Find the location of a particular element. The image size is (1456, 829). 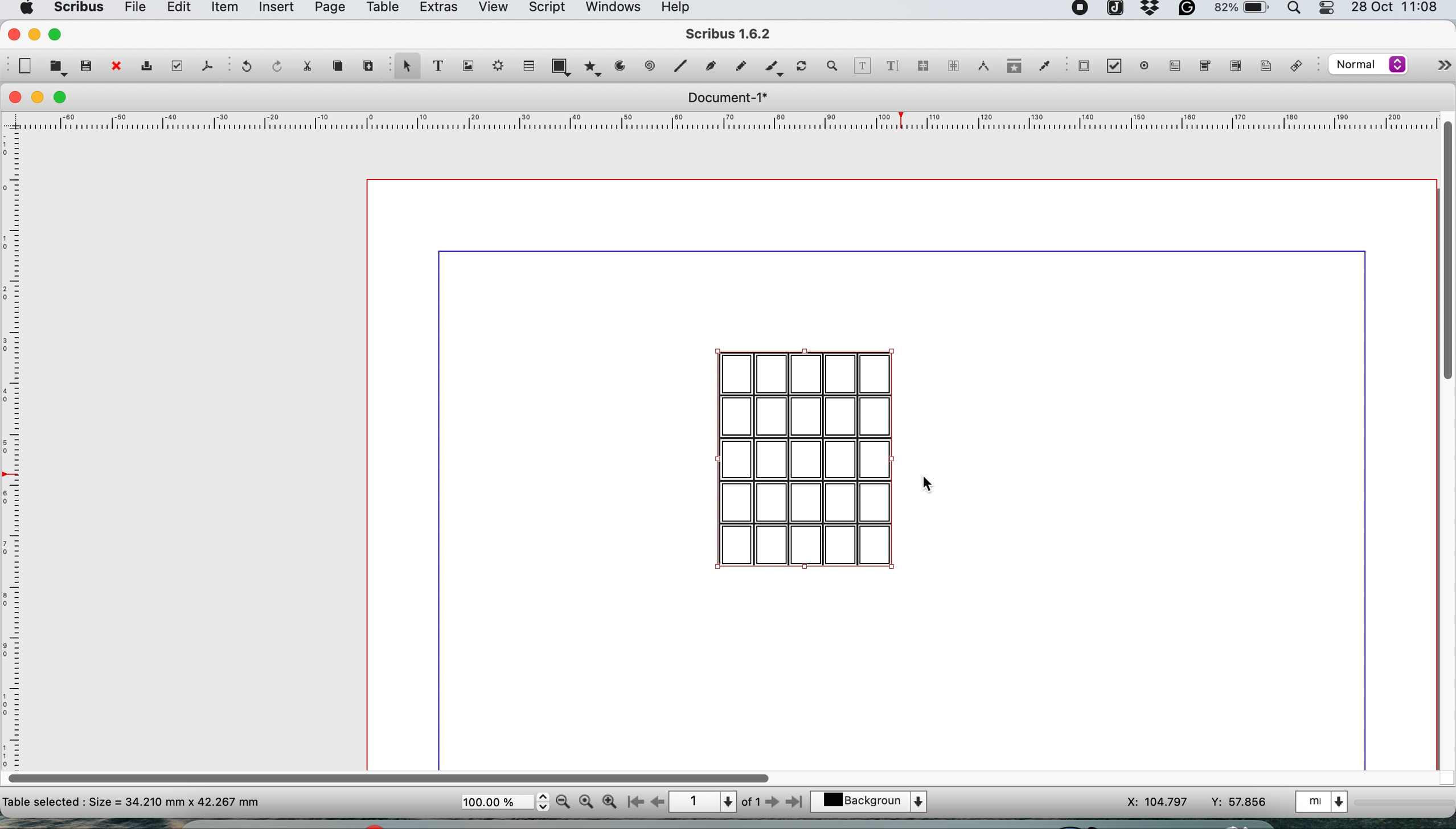

undo is located at coordinates (244, 67).